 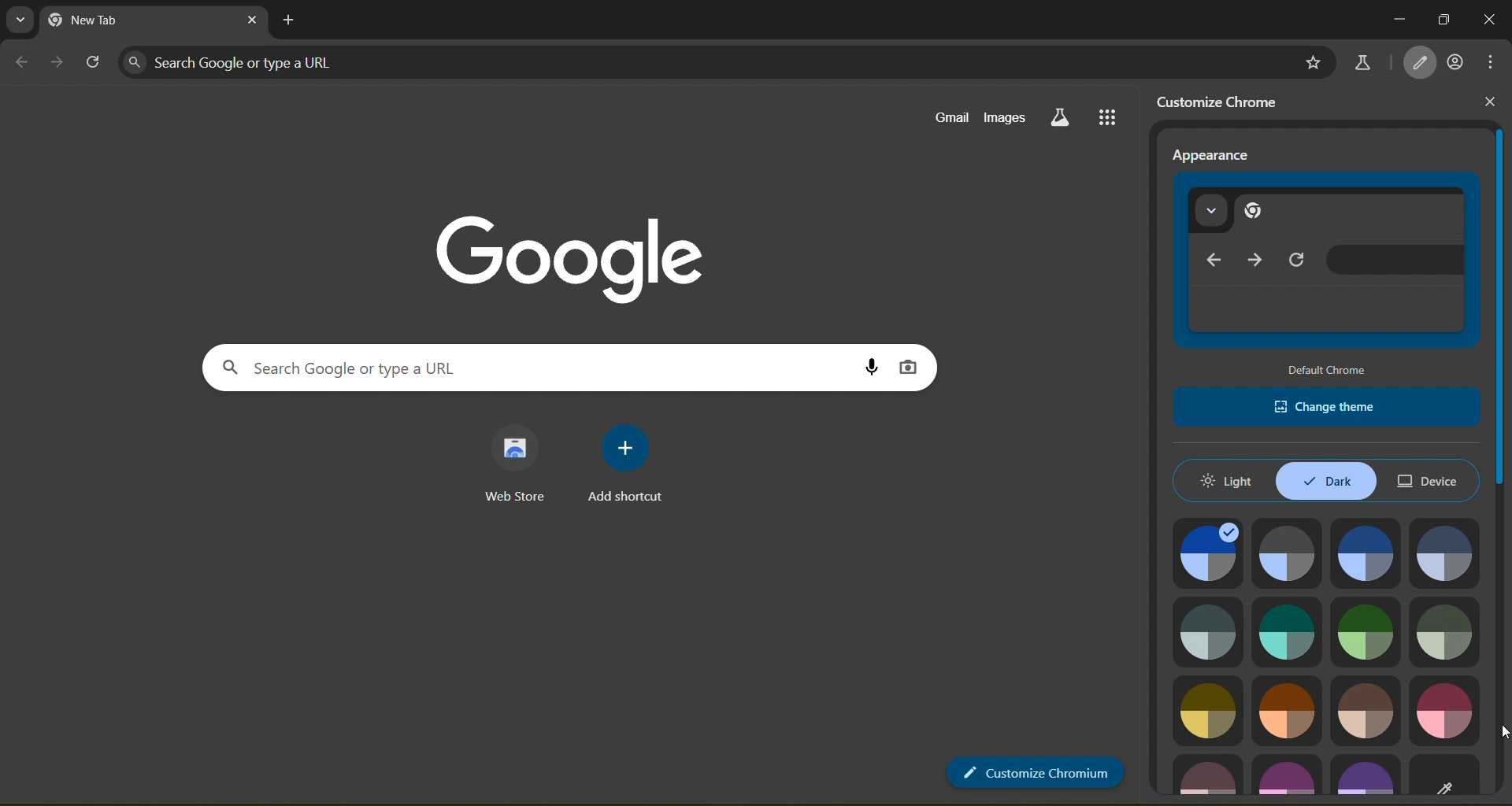 What do you see at coordinates (1289, 775) in the screenshot?
I see `image` at bounding box center [1289, 775].